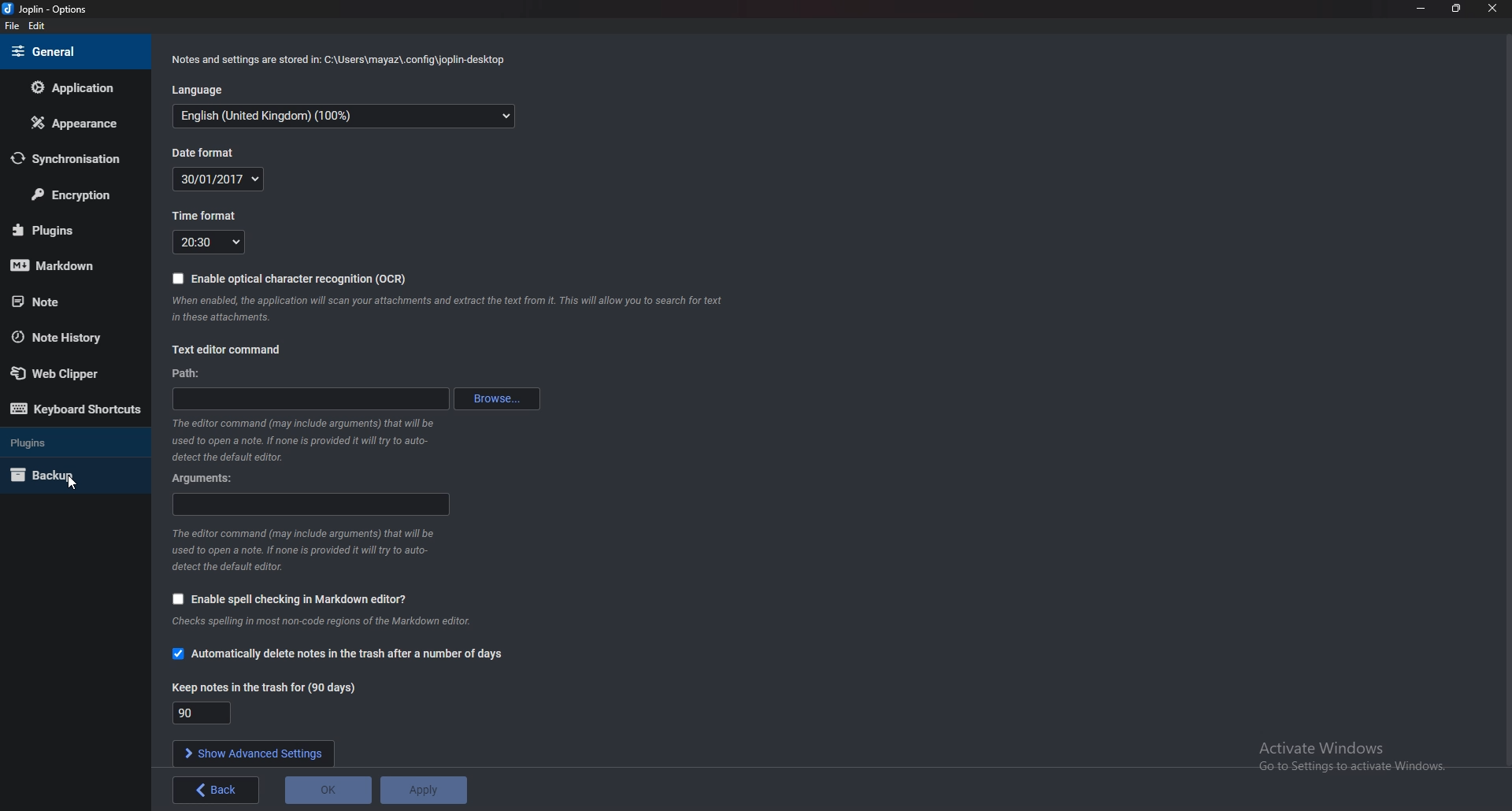 Image resolution: width=1512 pixels, height=811 pixels. I want to click on Language, so click(202, 90).